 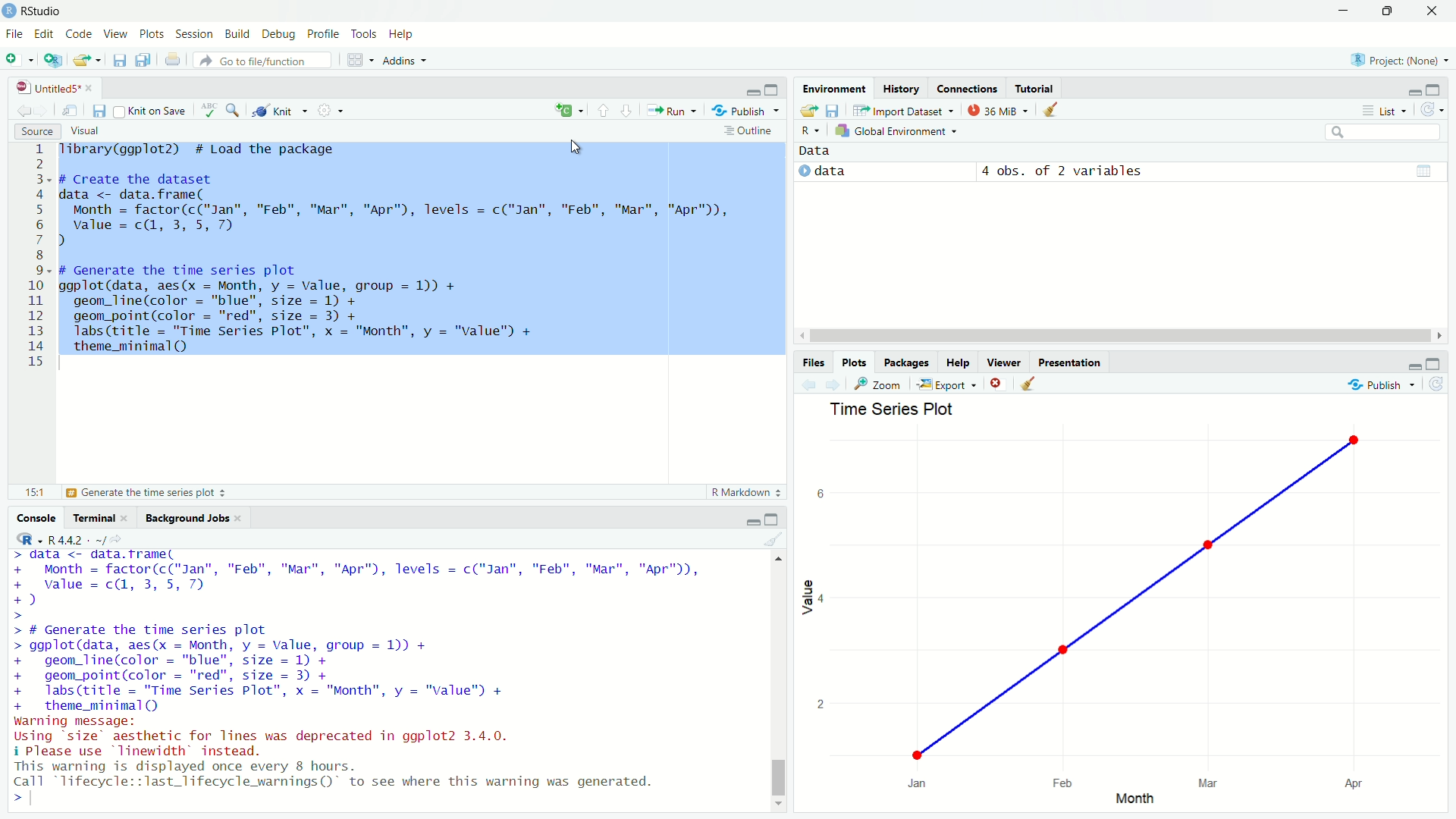 What do you see at coordinates (777, 686) in the screenshot?
I see `scrollbar` at bounding box center [777, 686].